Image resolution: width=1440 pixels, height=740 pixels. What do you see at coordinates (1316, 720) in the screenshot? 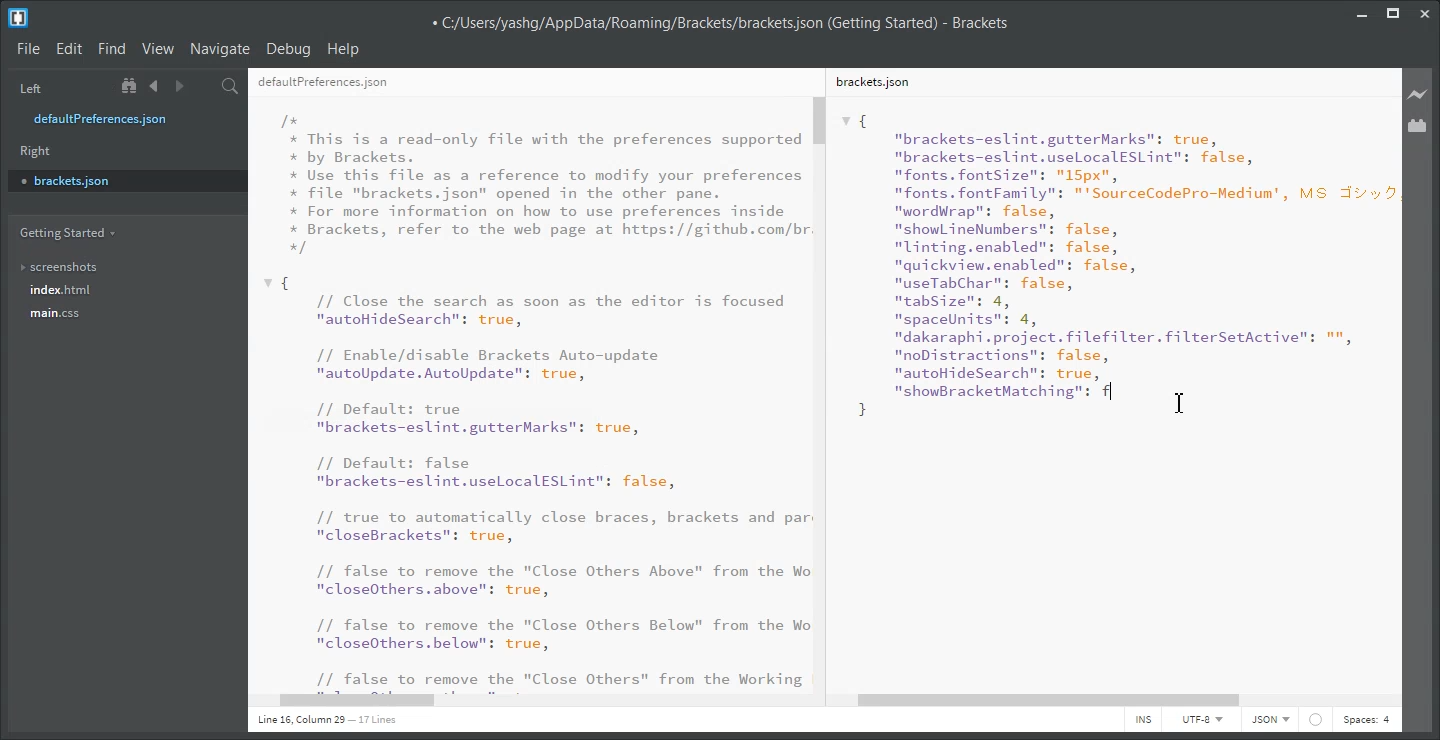
I see `Icon` at bounding box center [1316, 720].